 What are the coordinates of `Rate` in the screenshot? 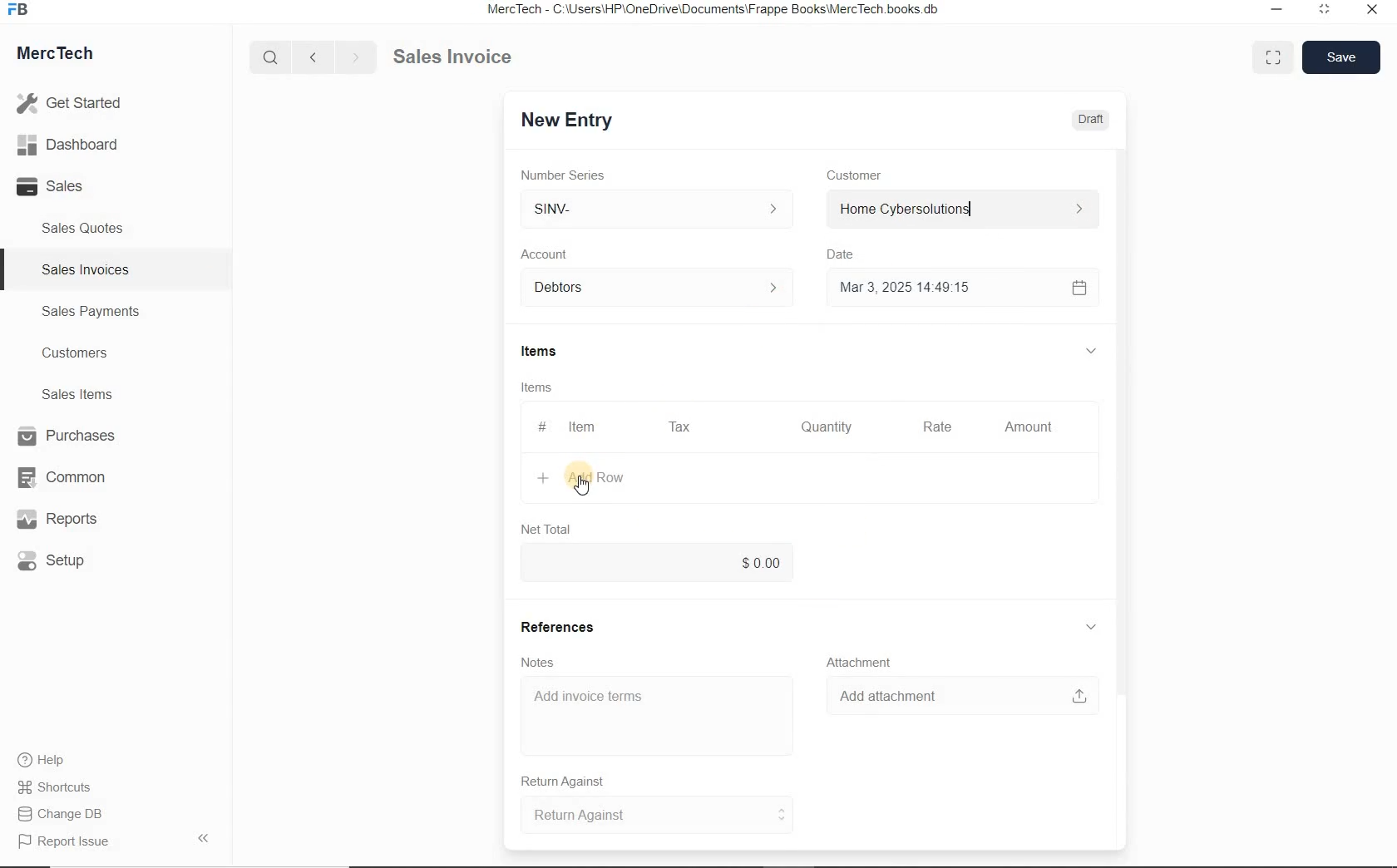 It's located at (935, 428).